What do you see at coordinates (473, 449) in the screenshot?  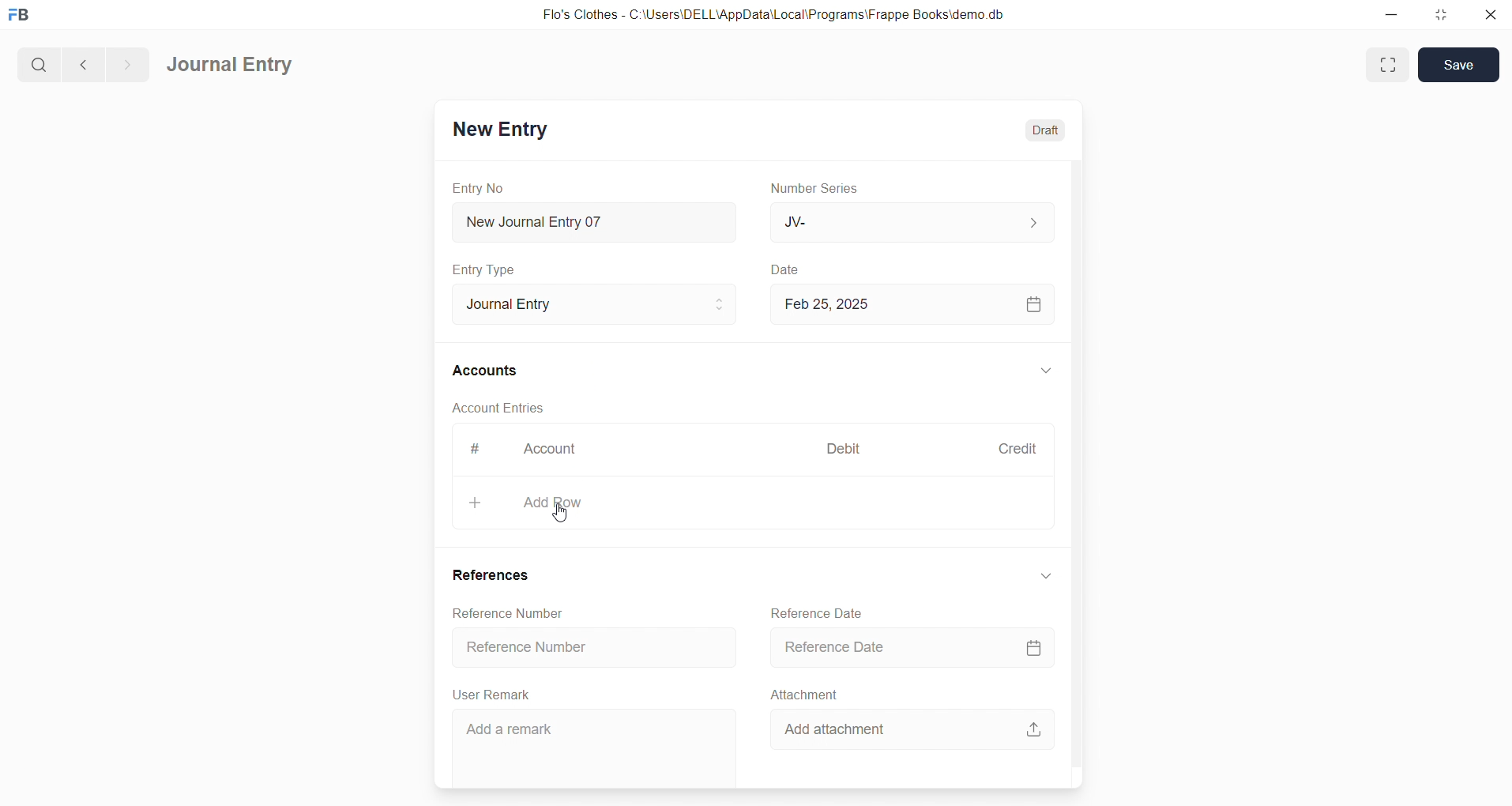 I see `#` at bounding box center [473, 449].